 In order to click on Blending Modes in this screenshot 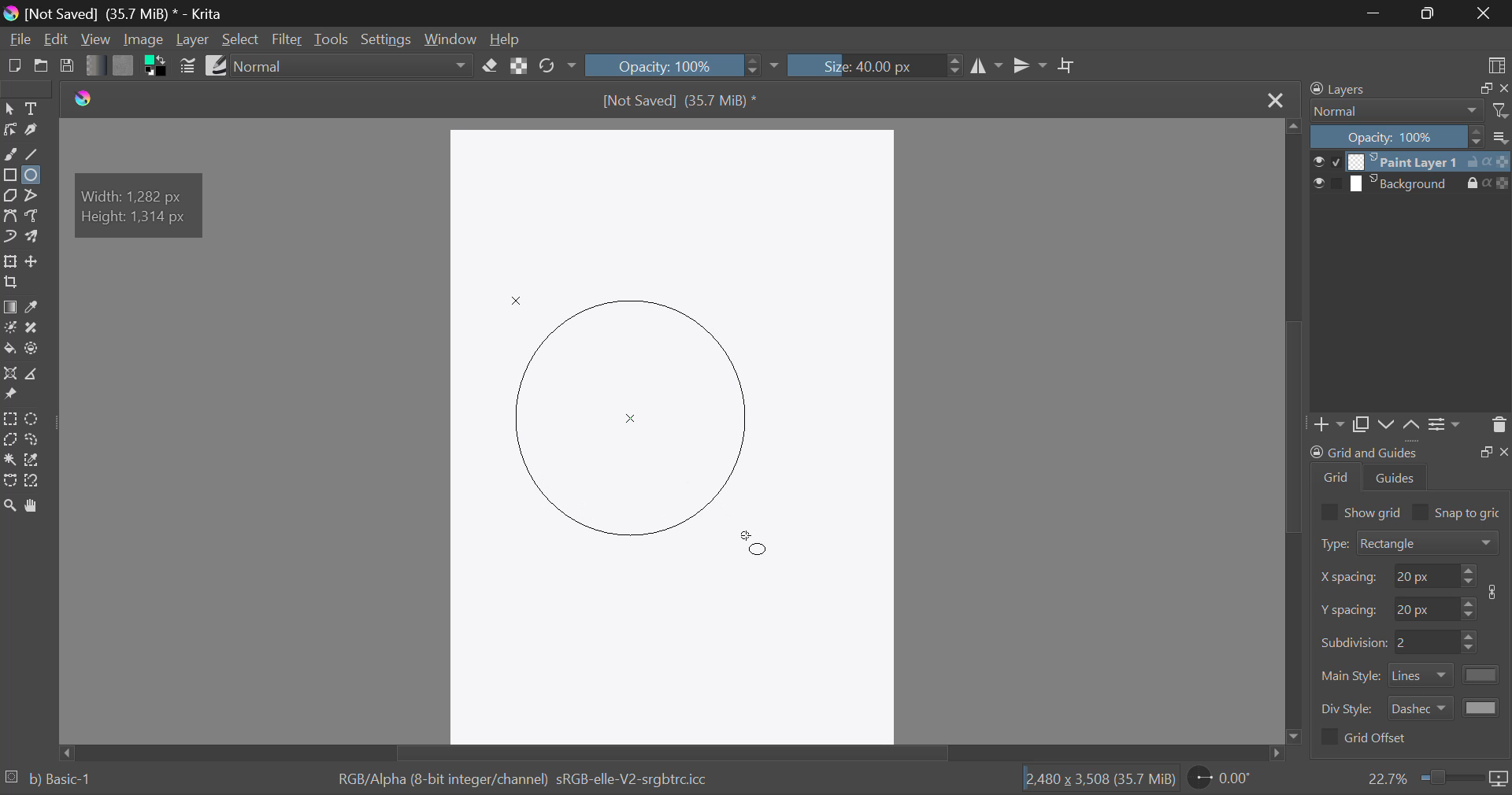, I will do `click(1409, 112)`.